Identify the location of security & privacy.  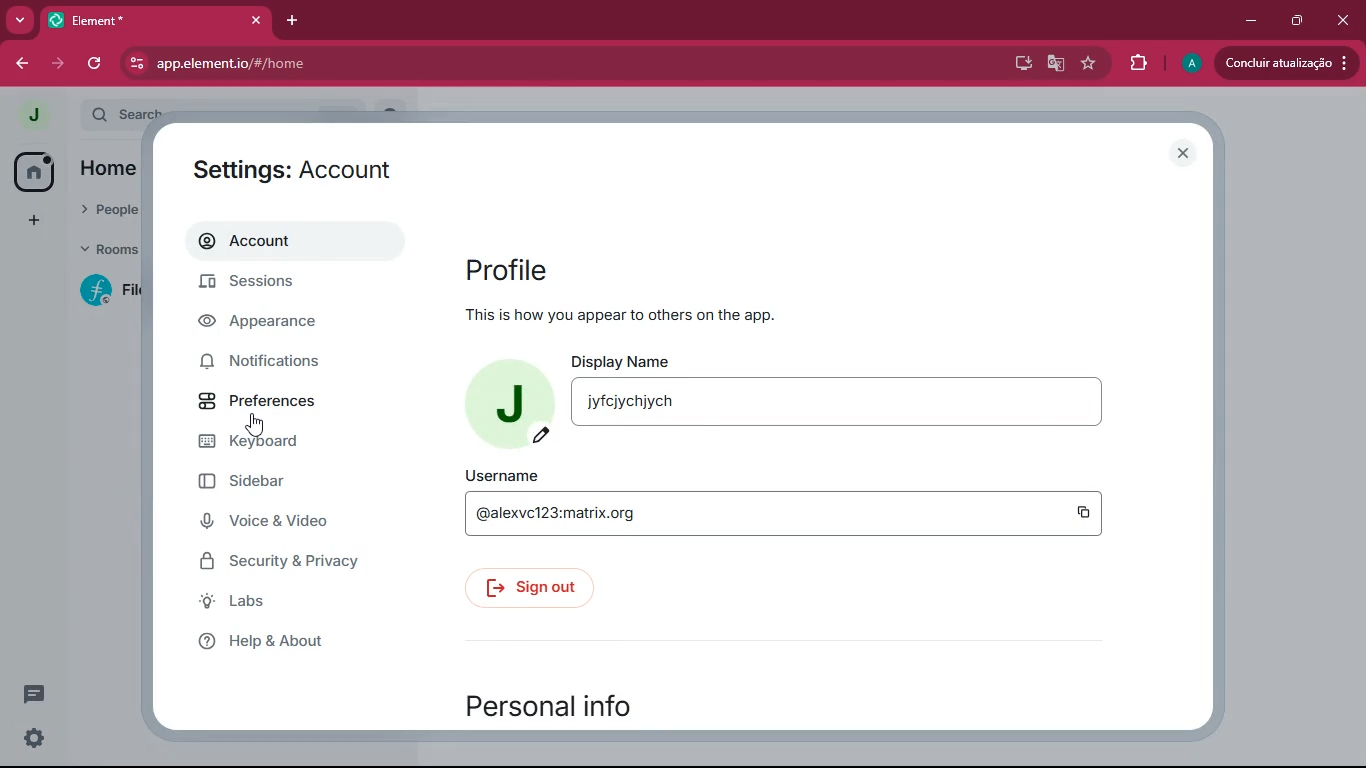
(283, 566).